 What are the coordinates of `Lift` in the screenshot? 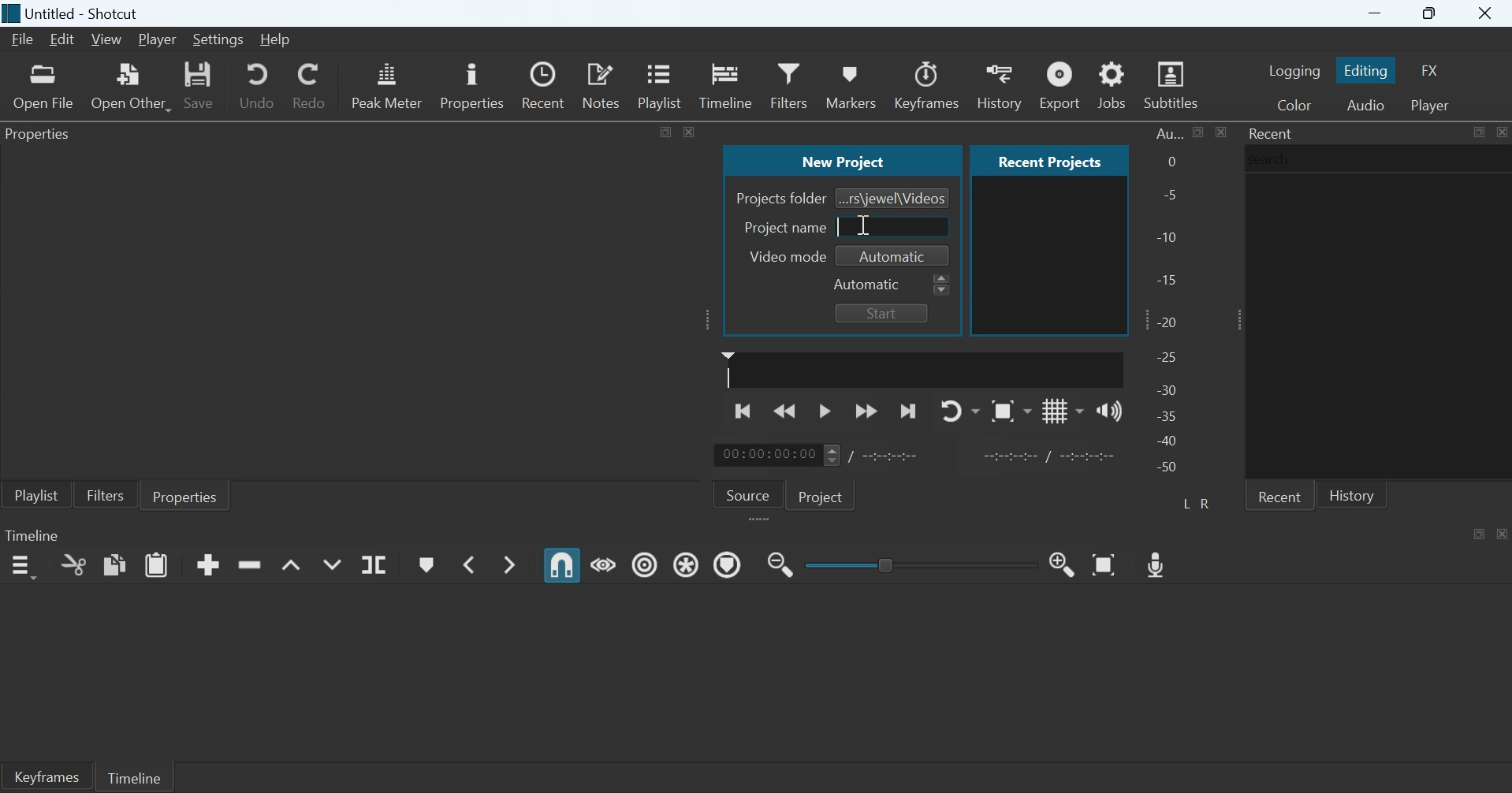 It's located at (292, 566).